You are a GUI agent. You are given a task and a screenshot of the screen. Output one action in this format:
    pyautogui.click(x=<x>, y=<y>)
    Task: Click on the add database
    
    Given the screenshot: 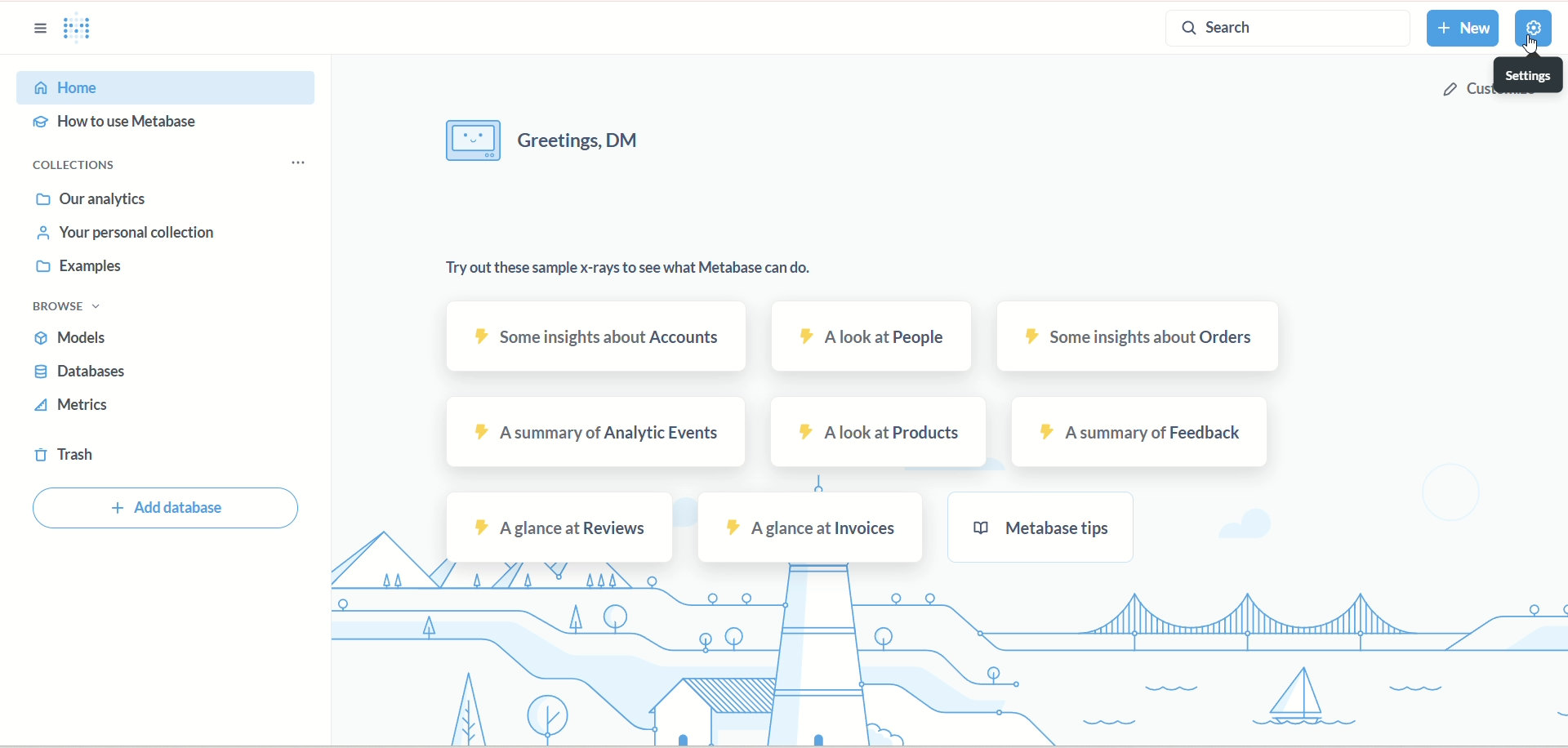 What is the action you would take?
    pyautogui.click(x=171, y=507)
    